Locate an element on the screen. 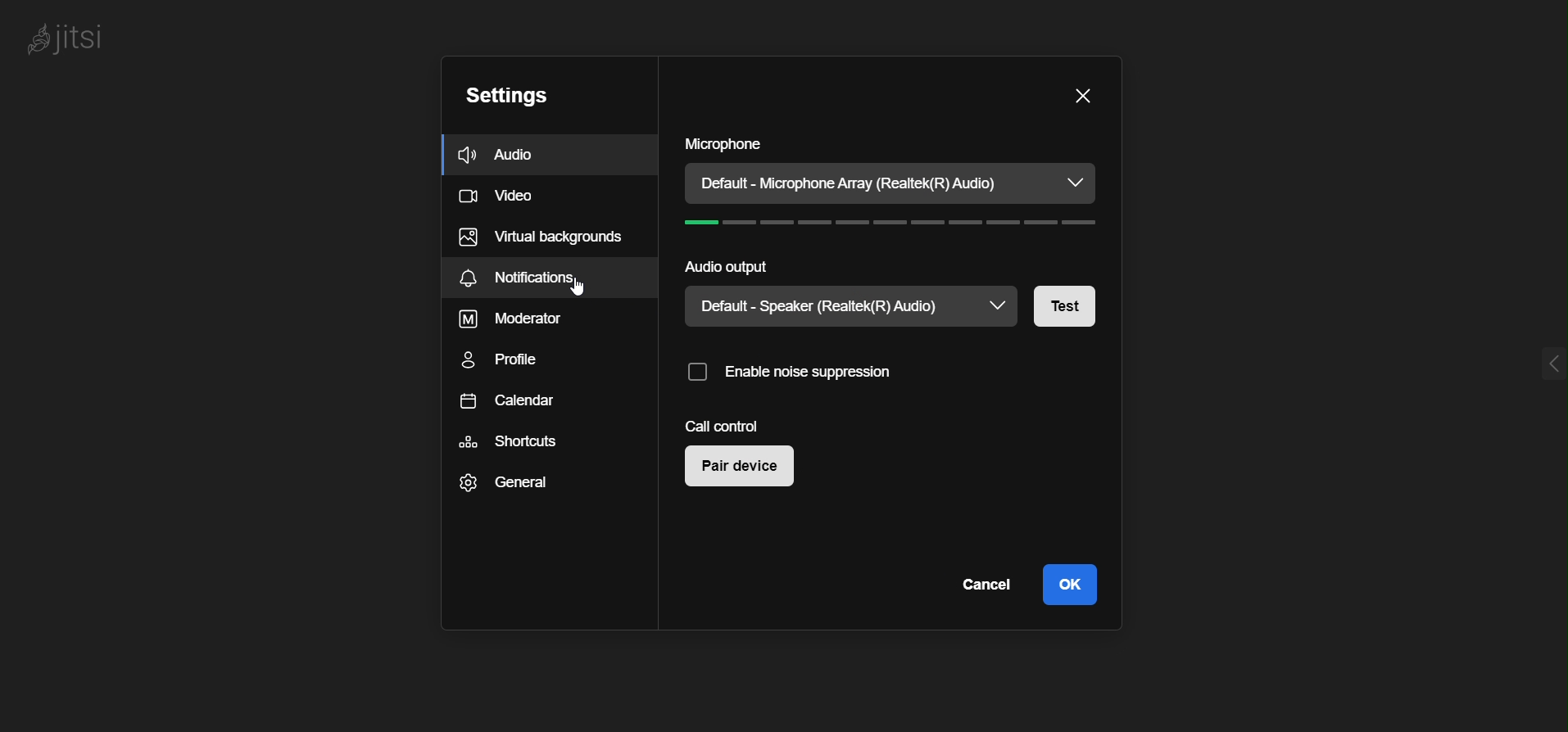 This screenshot has height=732, width=1568. pair device is located at coordinates (743, 468).